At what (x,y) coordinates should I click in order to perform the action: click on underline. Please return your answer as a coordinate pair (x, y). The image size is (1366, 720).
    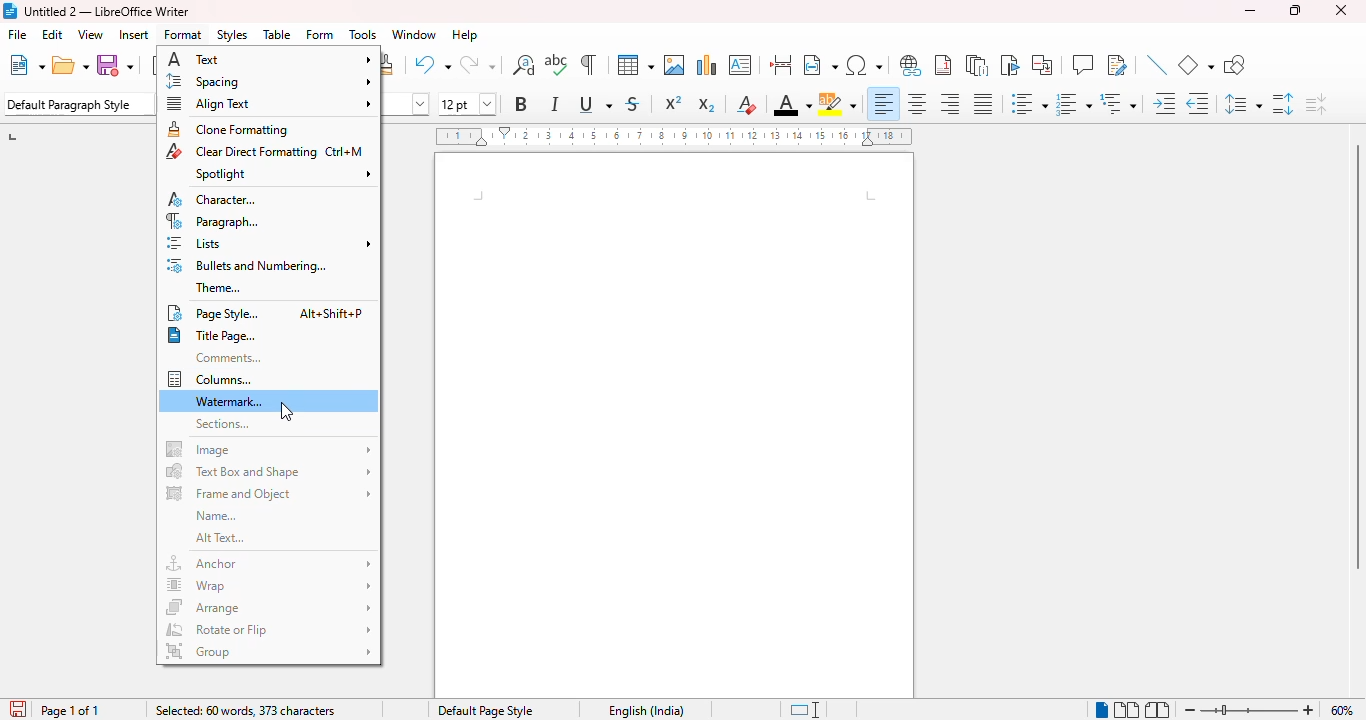
    Looking at the image, I should click on (595, 104).